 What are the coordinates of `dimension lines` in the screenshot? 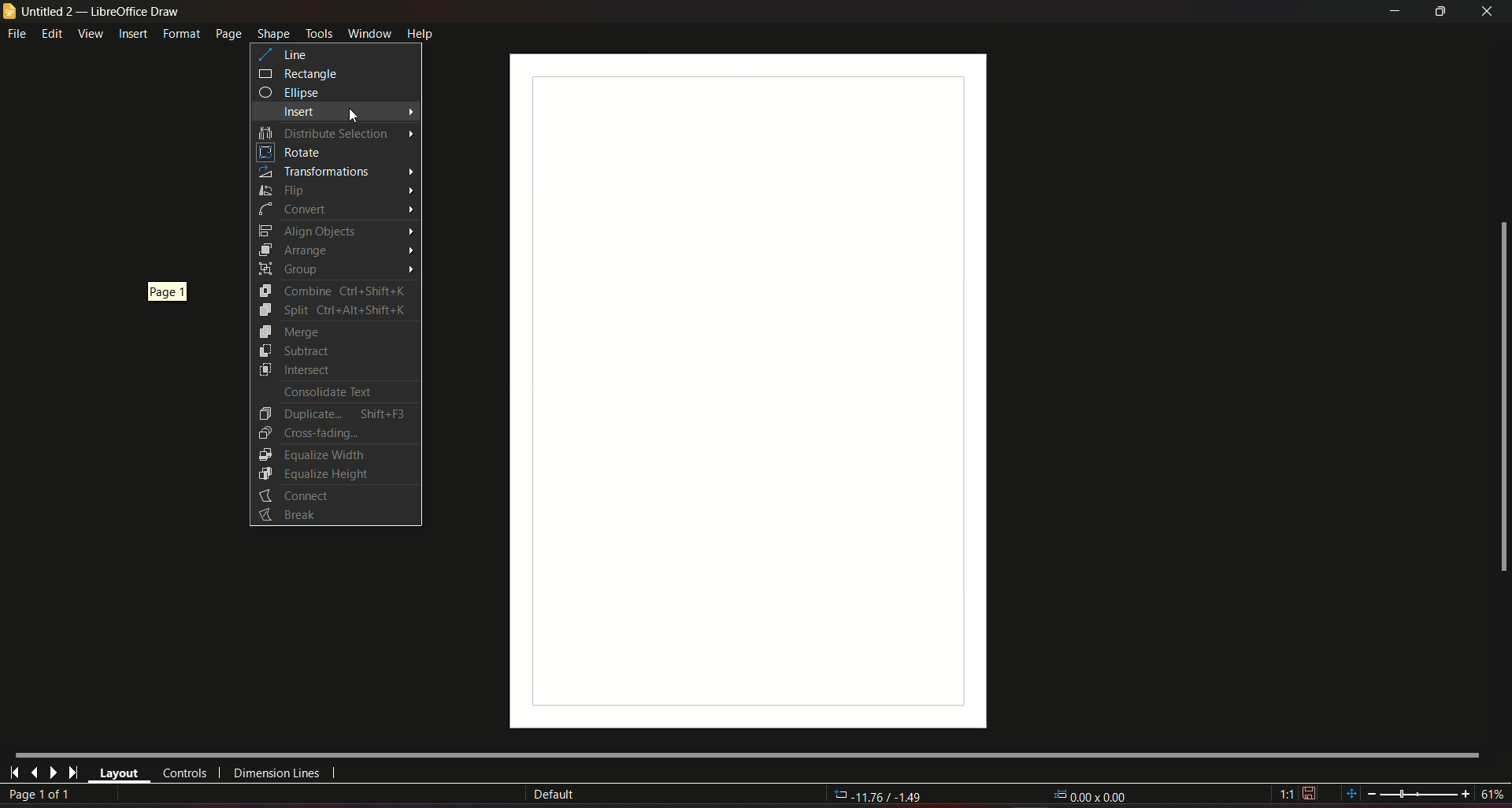 It's located at (277, 776).